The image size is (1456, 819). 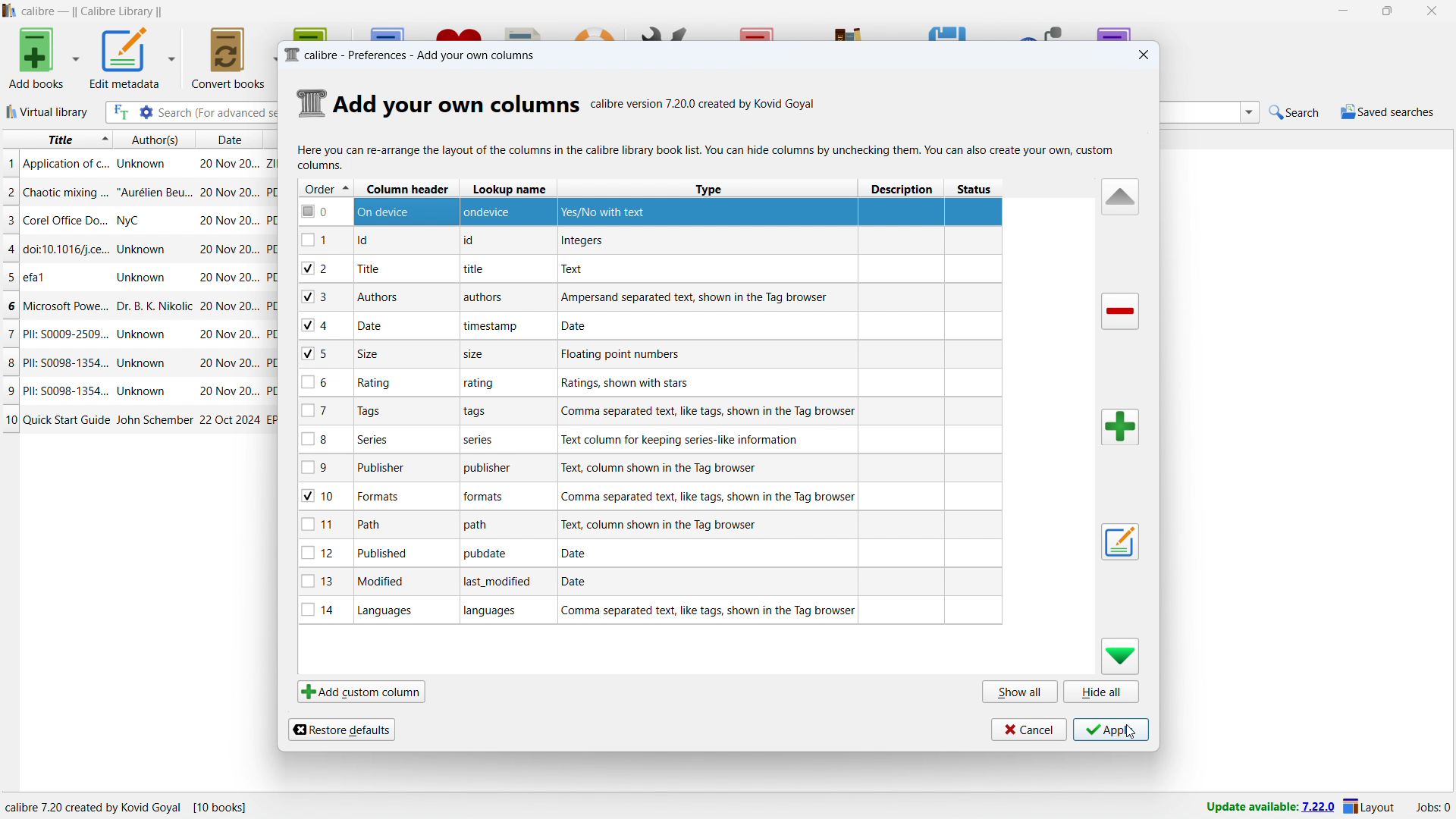 What do you see at coordinates (323, 212) in the screenshot?
I see `0` at bounding box center [323, 212].